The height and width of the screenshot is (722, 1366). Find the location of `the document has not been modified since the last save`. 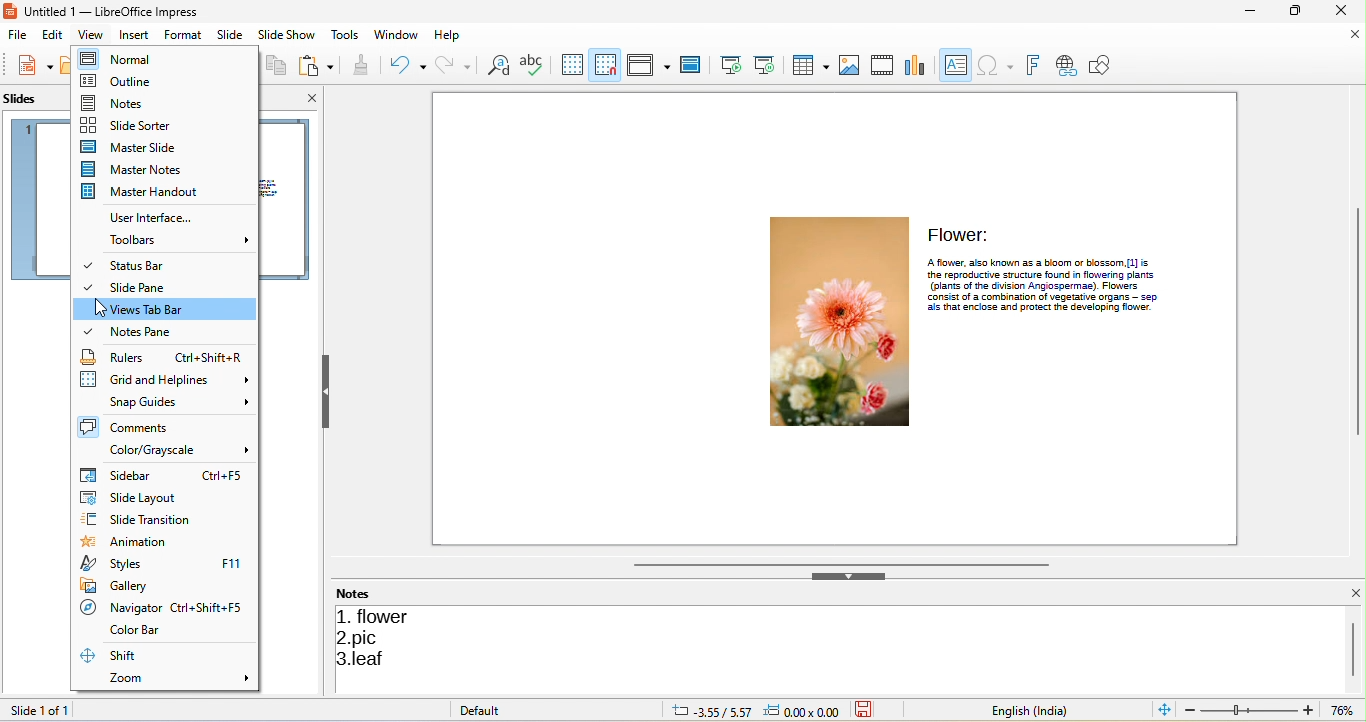

the document has not been modified since the last save is located at coordinates (868, 710).